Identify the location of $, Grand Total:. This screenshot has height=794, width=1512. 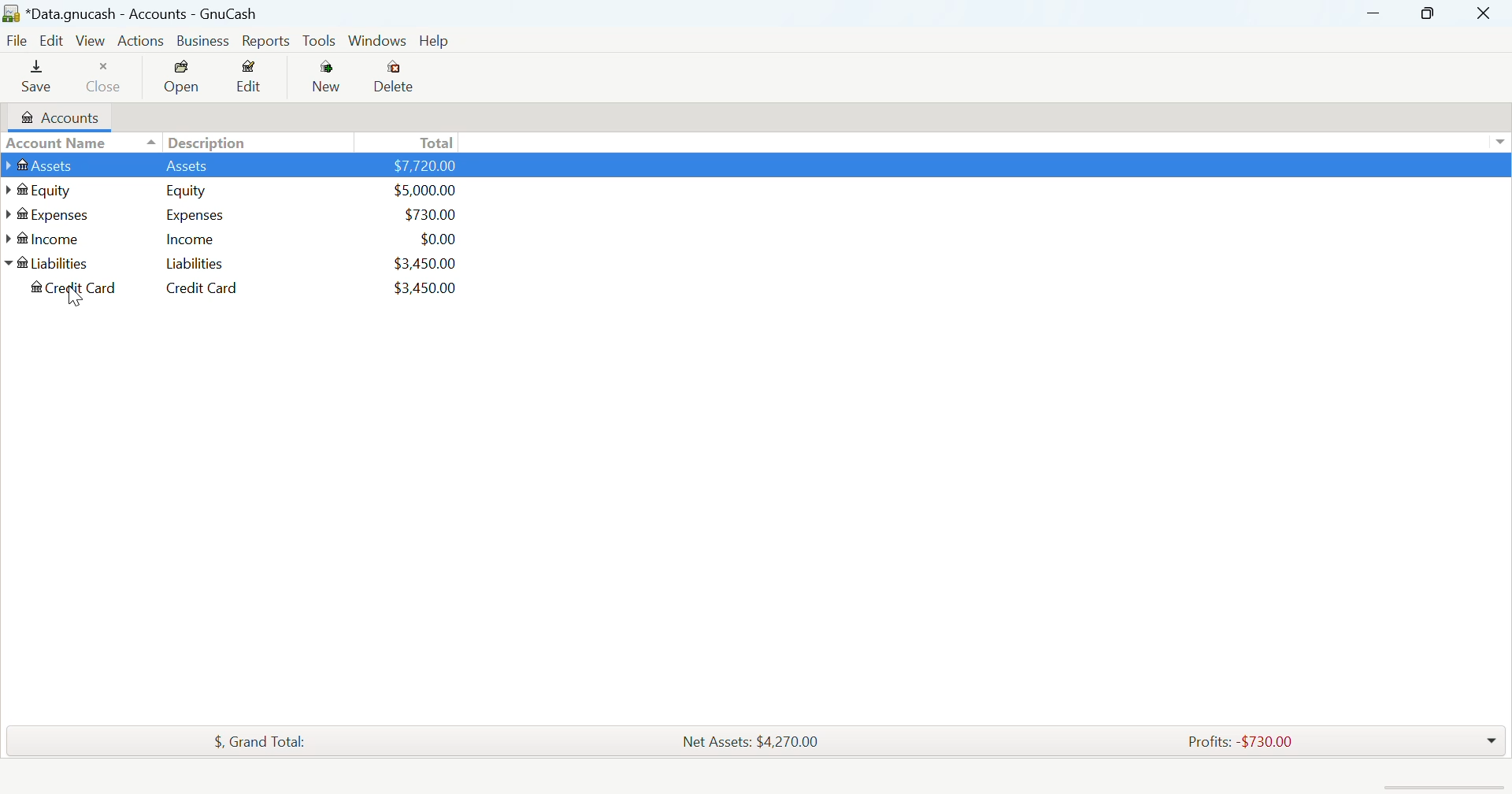
(252, 743).